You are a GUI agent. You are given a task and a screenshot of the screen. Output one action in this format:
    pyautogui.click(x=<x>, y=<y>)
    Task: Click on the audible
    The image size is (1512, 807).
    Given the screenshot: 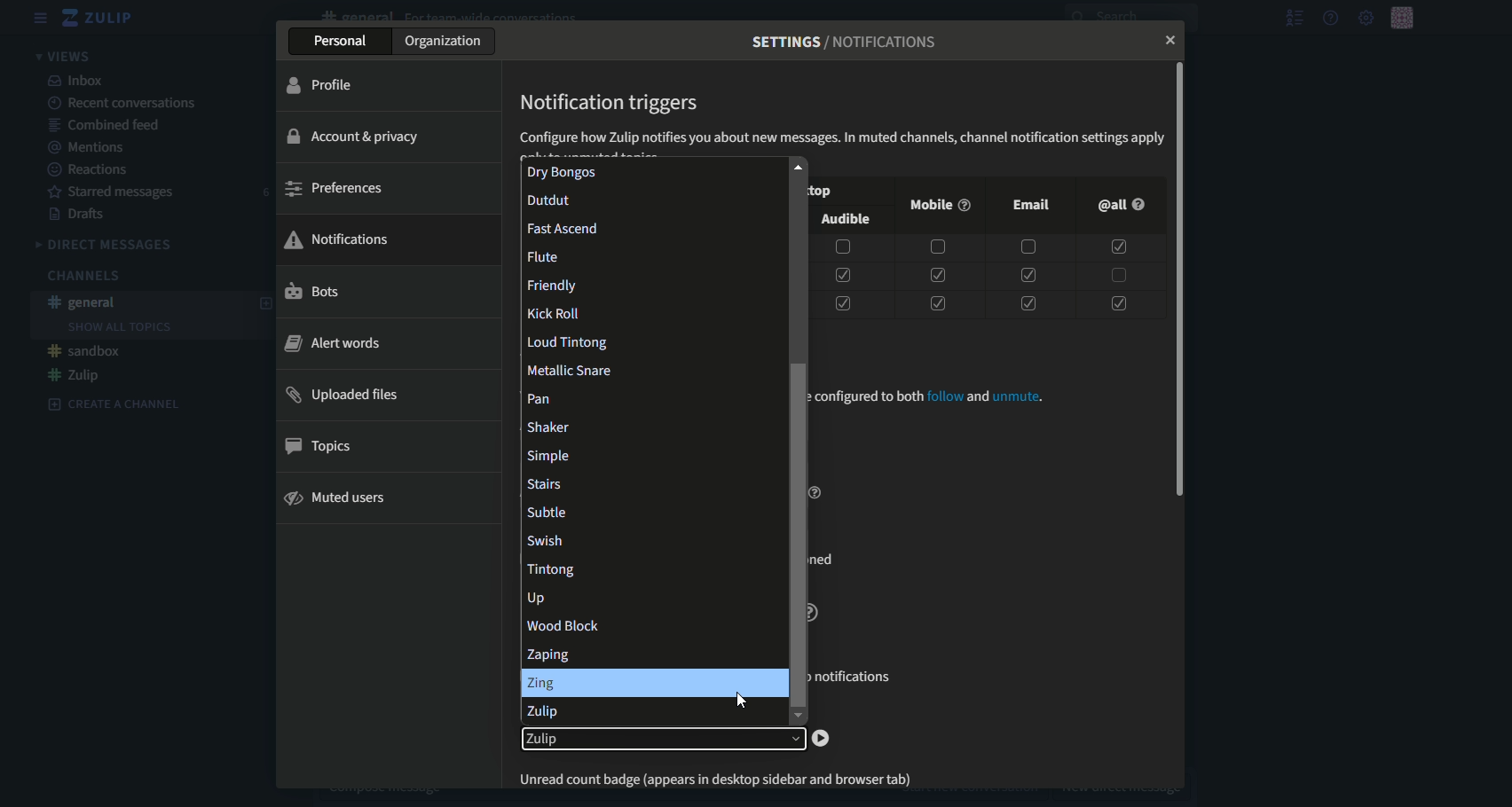 What is the action you would take?
    pyautogui.click(x=847, y=221)
    